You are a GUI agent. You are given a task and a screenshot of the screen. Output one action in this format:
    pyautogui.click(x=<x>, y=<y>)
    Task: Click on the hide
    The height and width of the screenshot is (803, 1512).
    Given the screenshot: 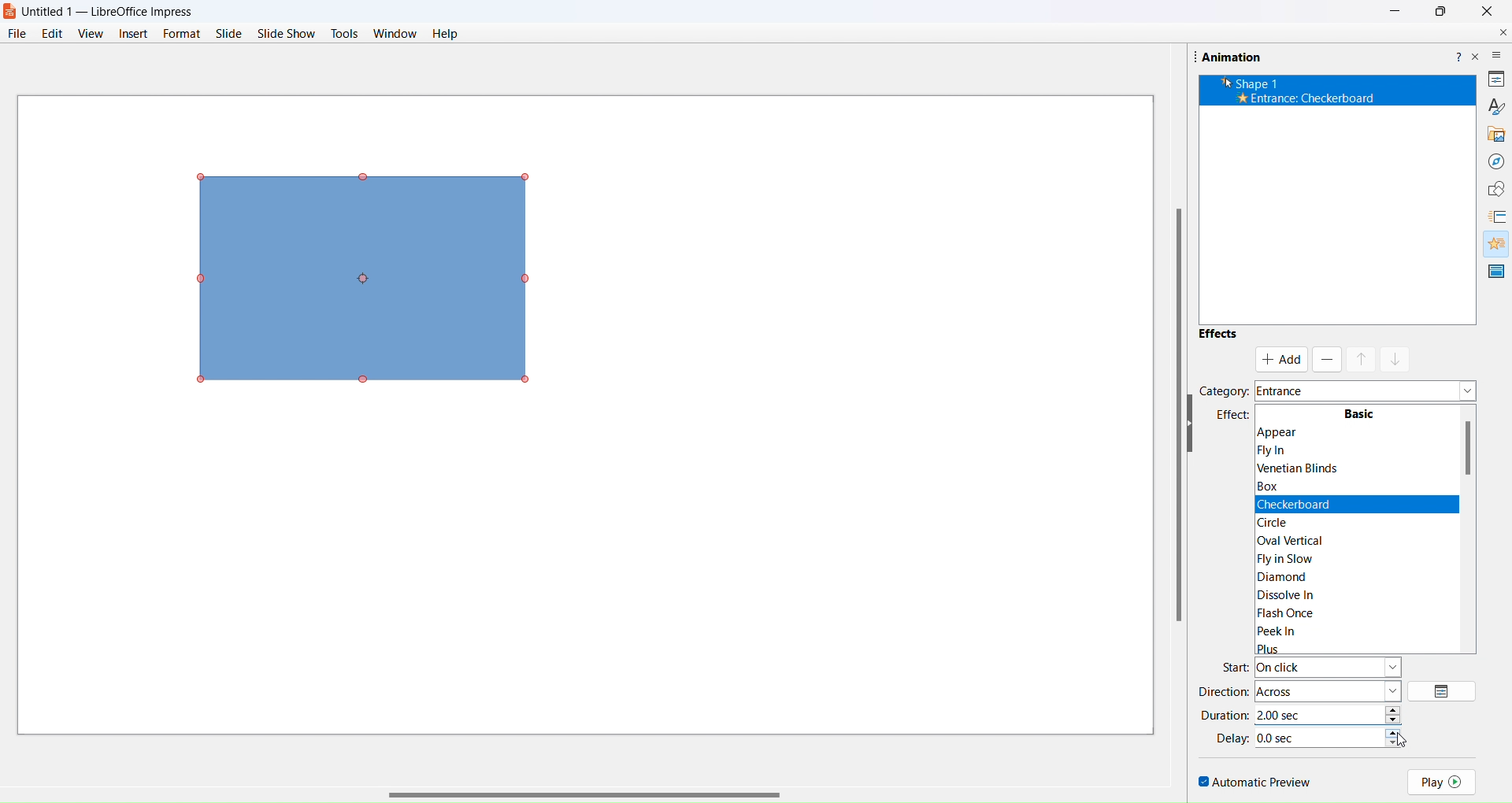 What is the action you would take?
    pyautogui.click(x=1194, y=426)
    